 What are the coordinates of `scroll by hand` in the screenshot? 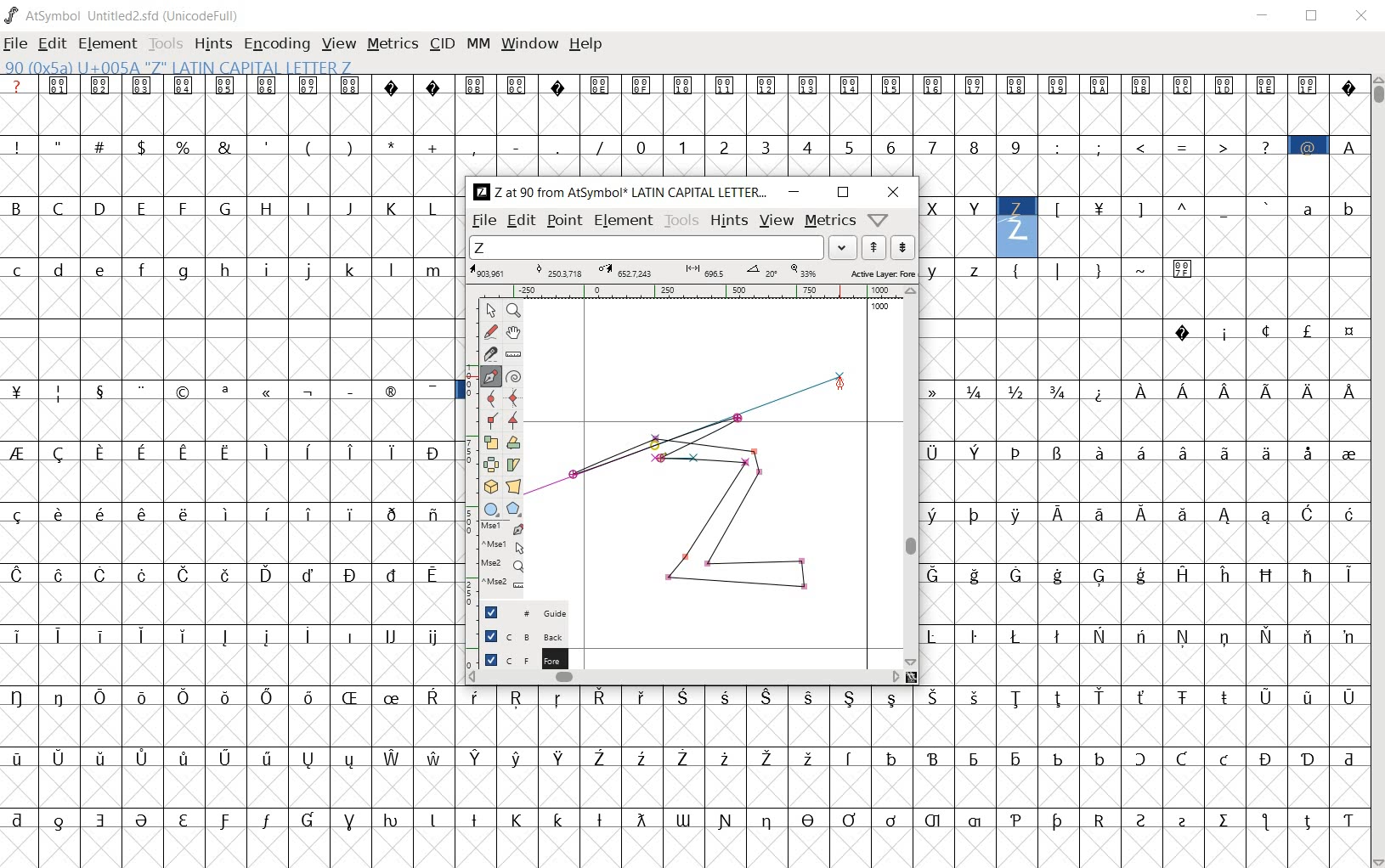 It's located at (515, 332).